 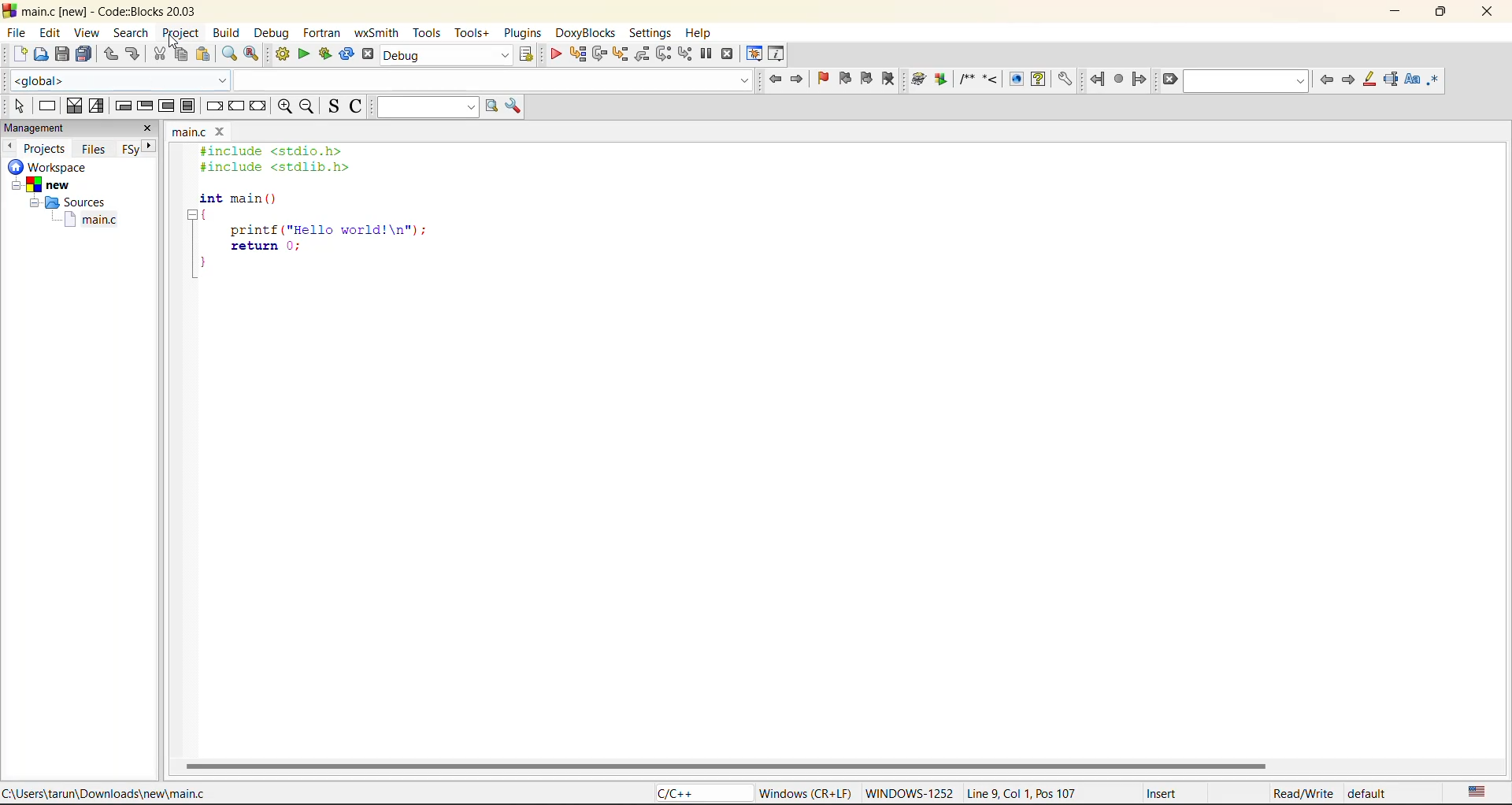 I want to click on break instruction, so click(x=213, y=107).